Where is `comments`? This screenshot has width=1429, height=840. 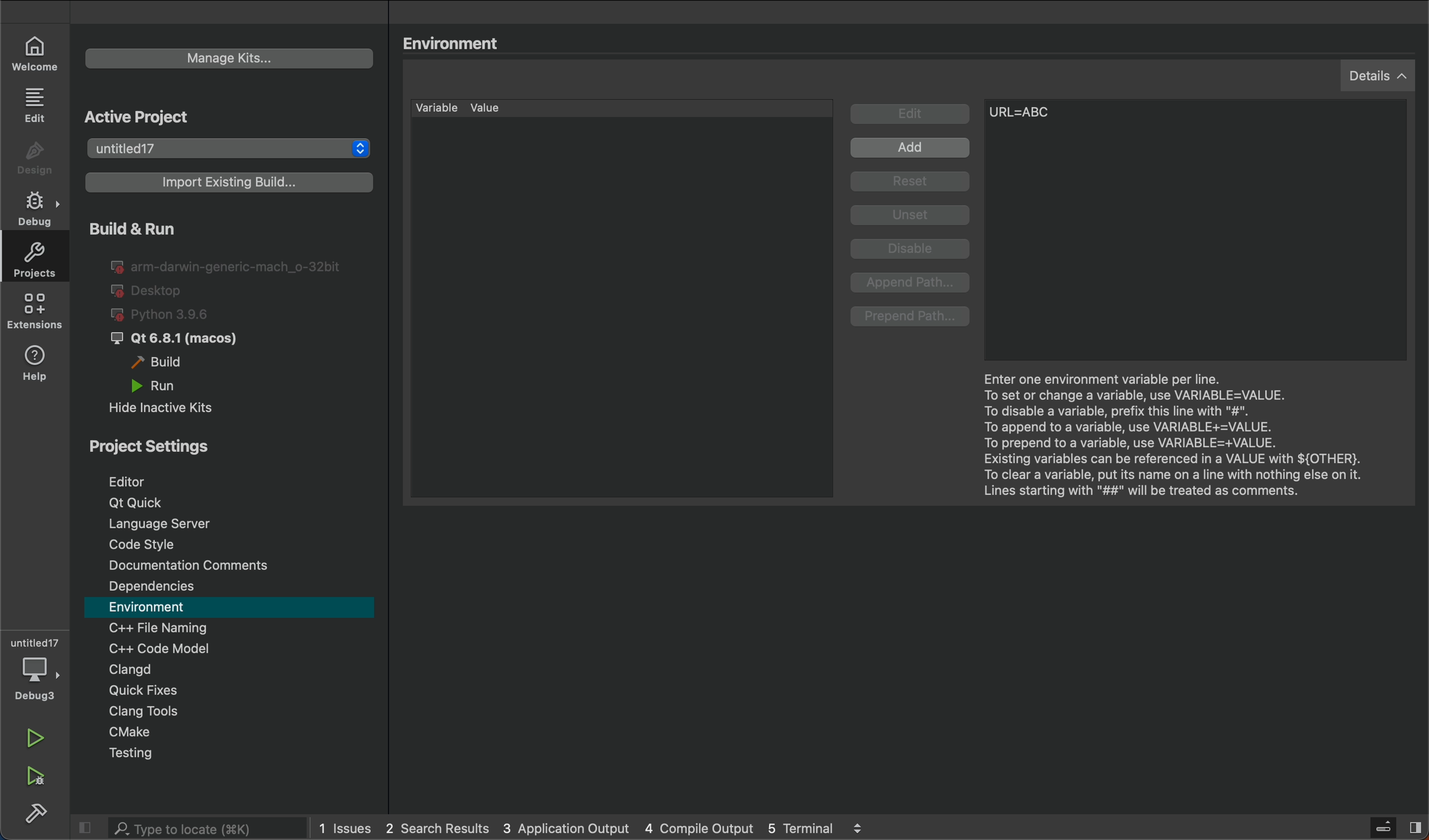 comments is located at coordinates (231, 564).